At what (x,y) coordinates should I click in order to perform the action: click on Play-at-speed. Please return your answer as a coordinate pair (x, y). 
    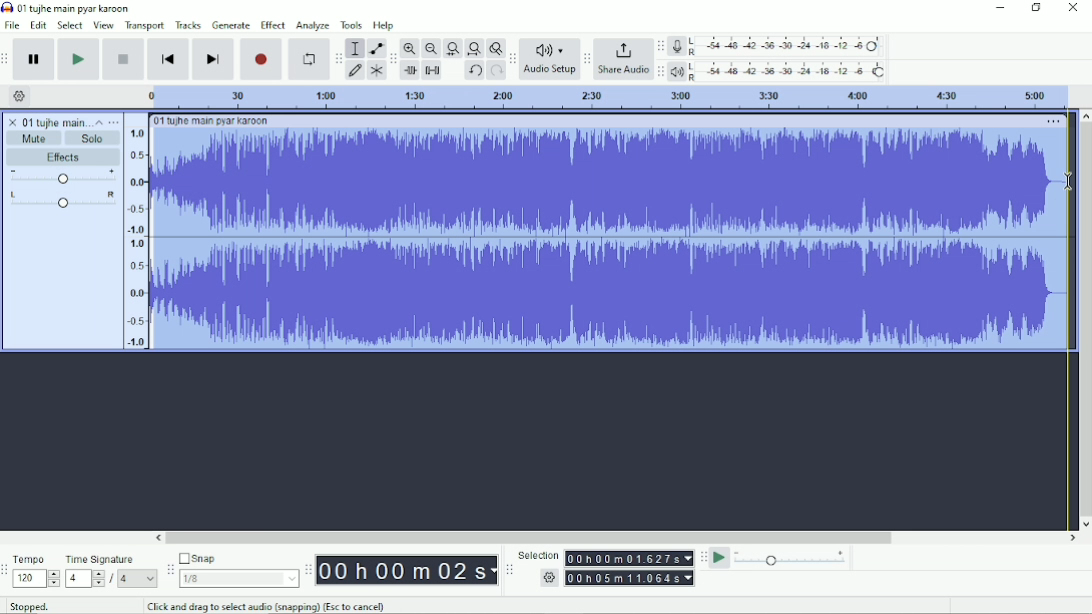
    Looking at the image, I should click on (720, 558).